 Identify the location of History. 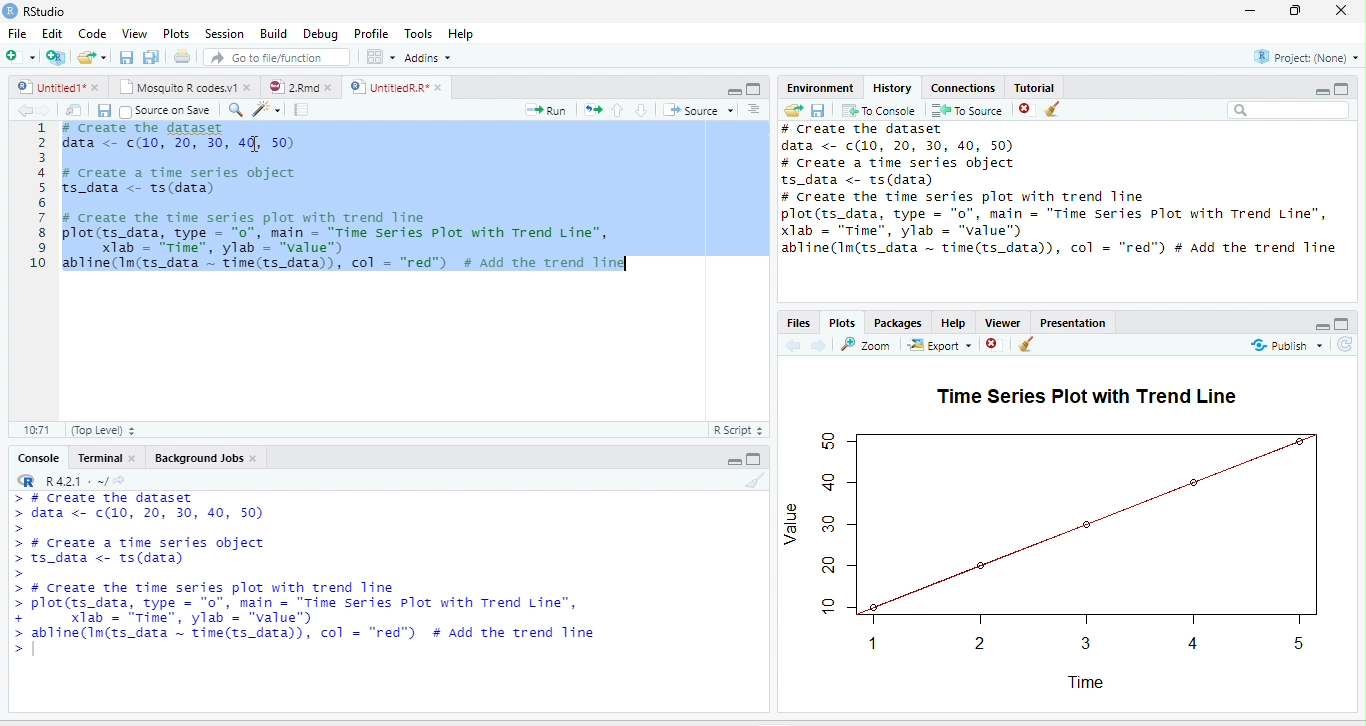
(893, 87).